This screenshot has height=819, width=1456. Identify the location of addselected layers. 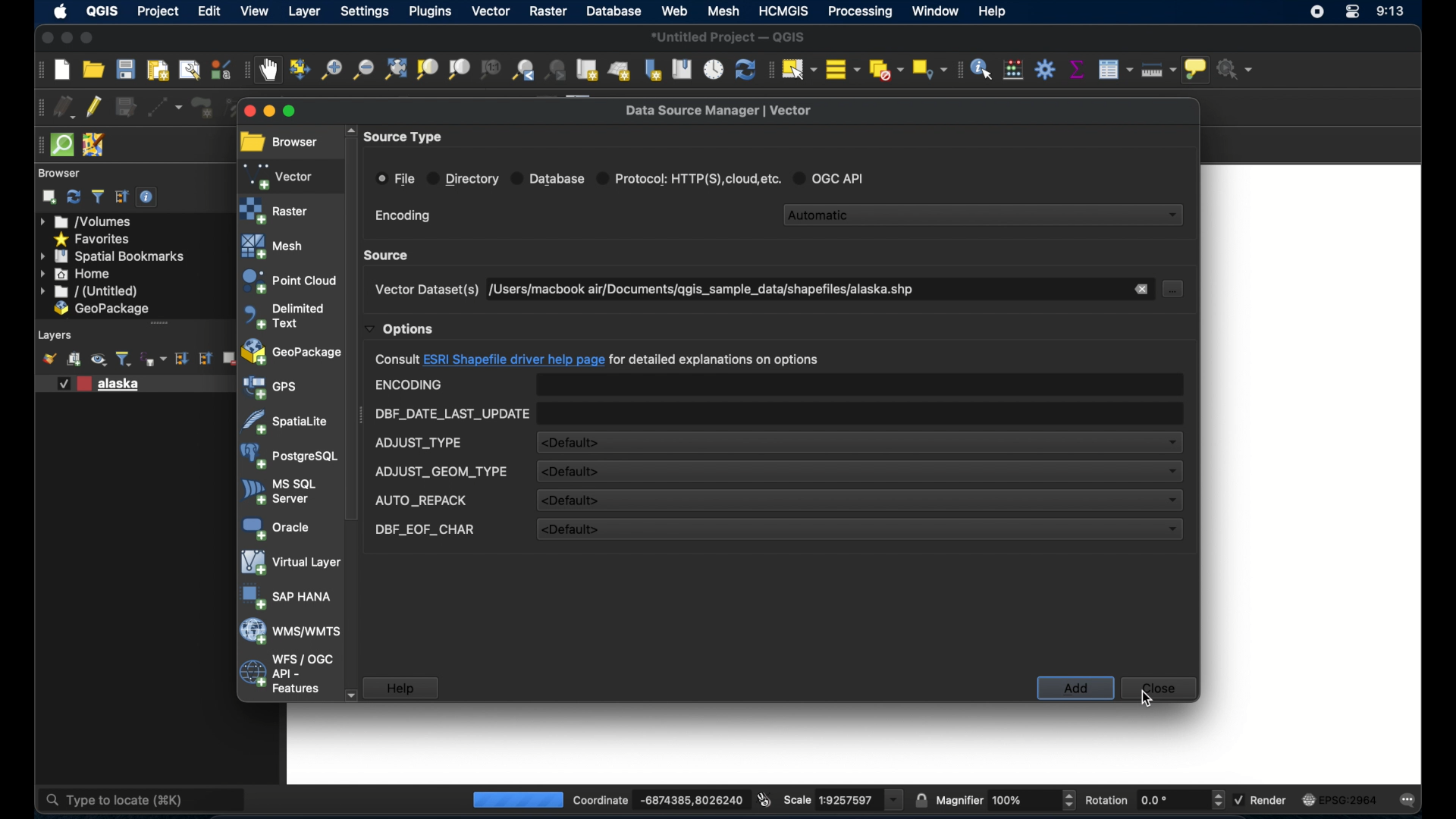
(49, 197).